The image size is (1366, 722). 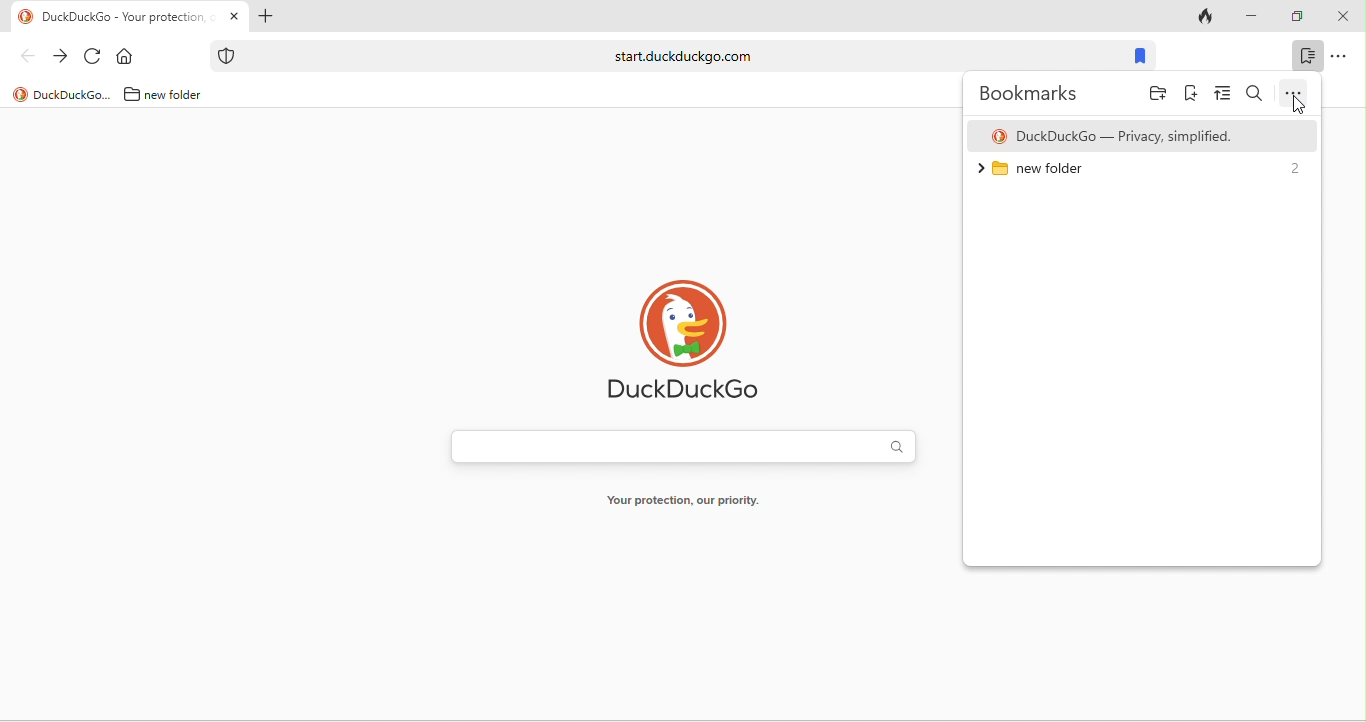 What do you see at coordinates (234, 17) in the screenshot?
I see `close tab` at bounding box center [234, 17].